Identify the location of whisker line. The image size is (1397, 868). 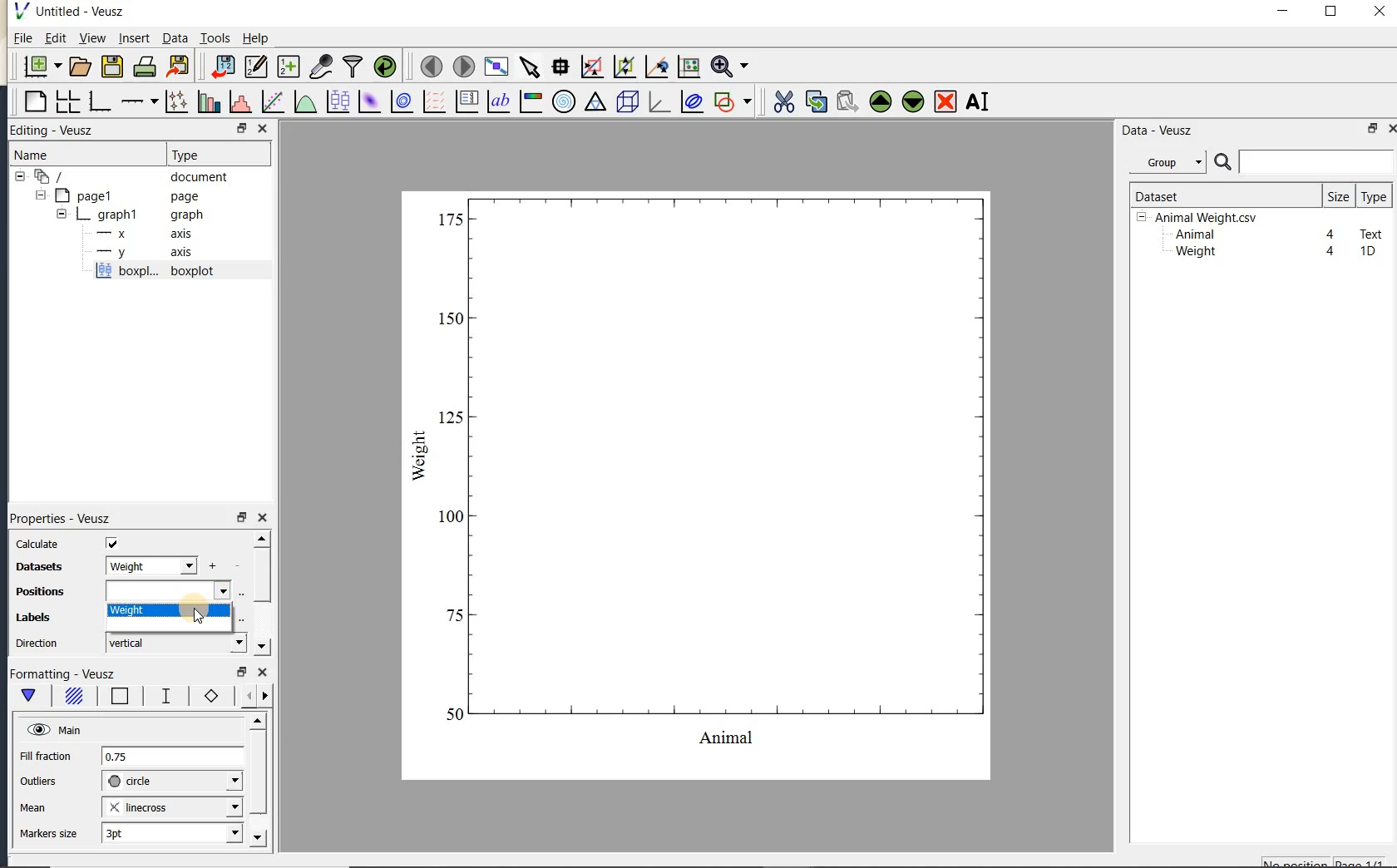
(163, 696).